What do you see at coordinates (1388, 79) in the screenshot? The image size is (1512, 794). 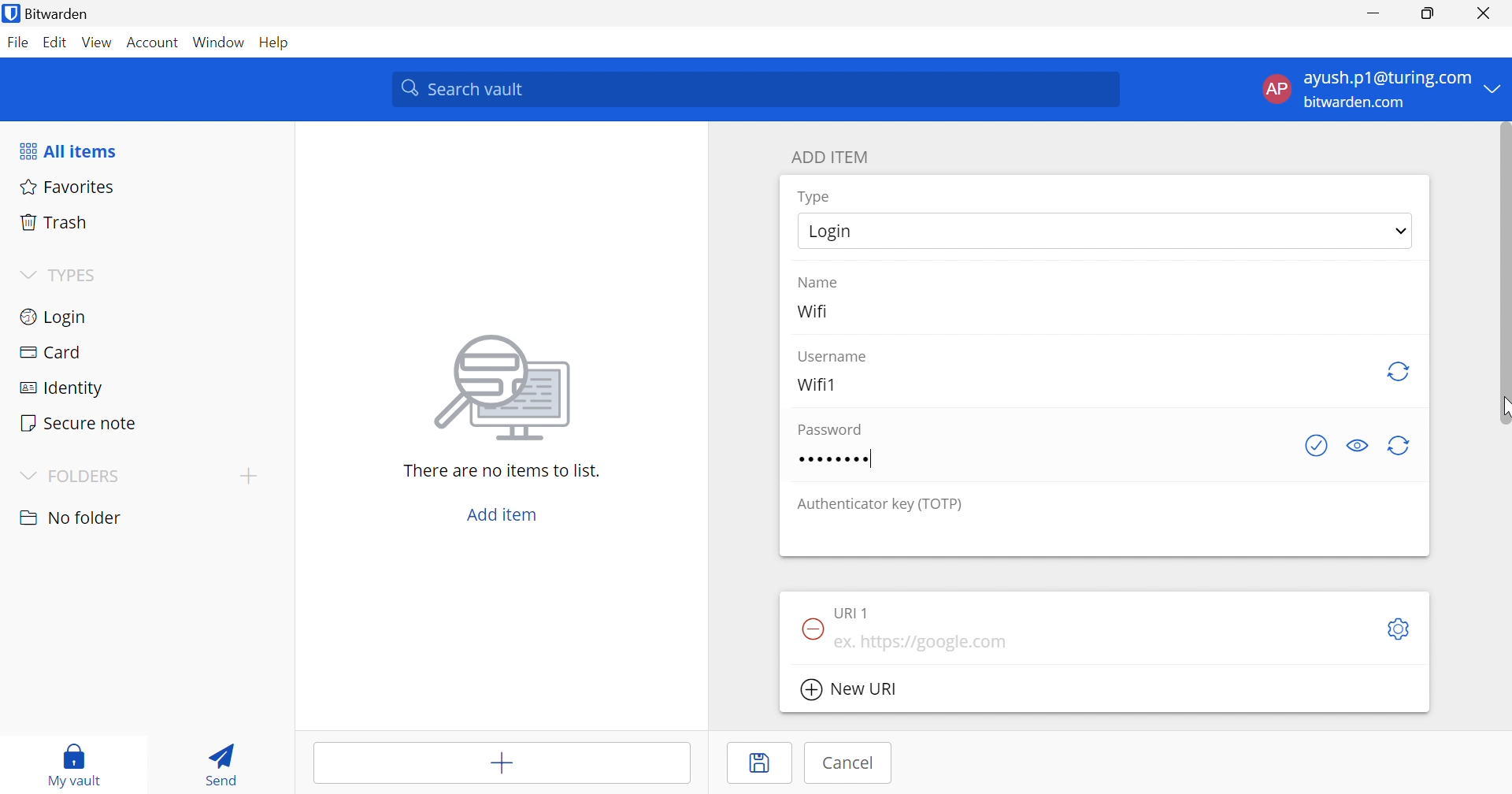 I see `ayush.p1@turing.com` at bounding box center [1388, 79].